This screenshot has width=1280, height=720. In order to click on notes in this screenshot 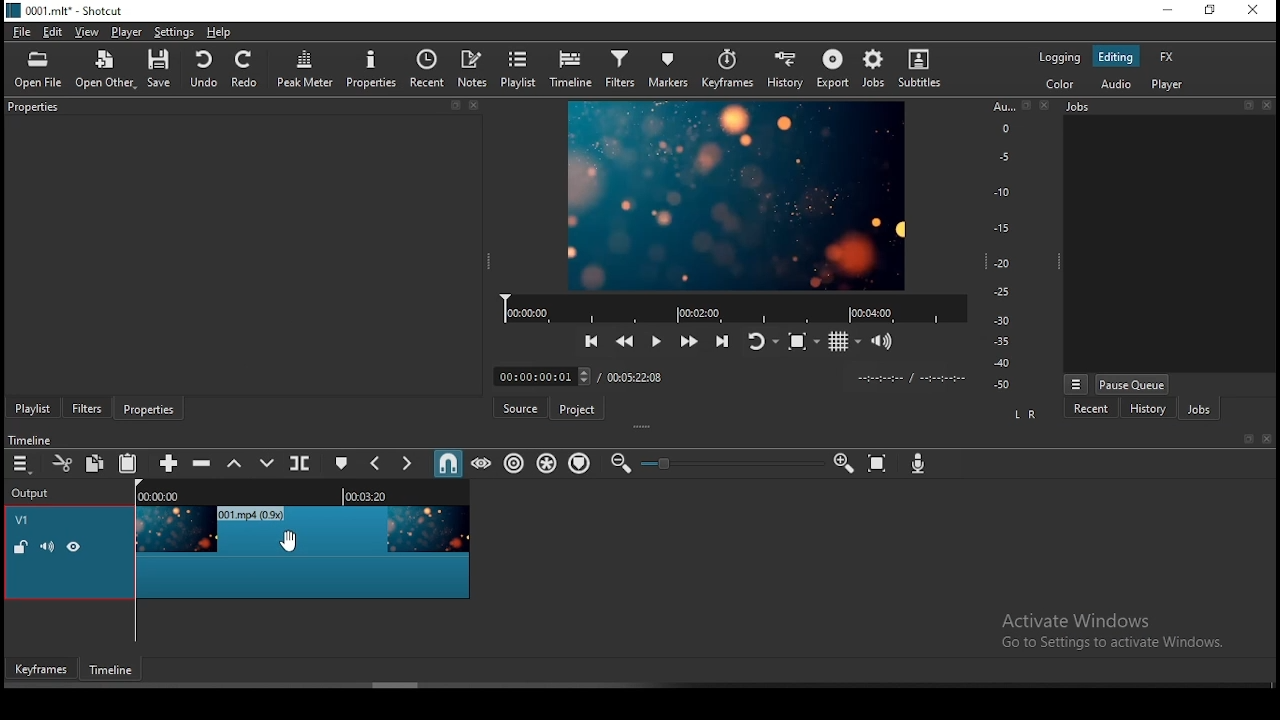, I will do `click(472, 69)`.